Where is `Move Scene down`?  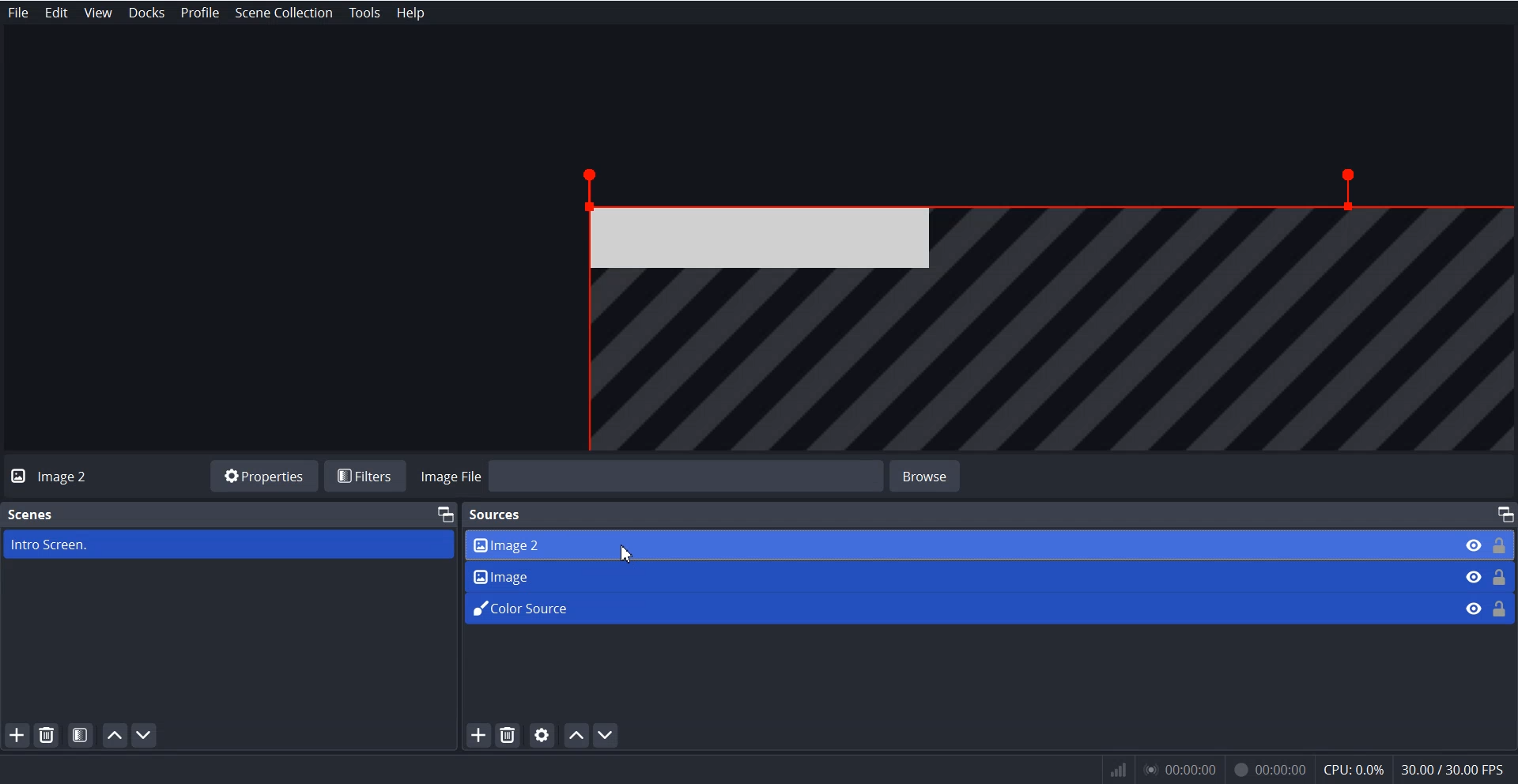 Move Scene down is located at coordinates (147, 735).